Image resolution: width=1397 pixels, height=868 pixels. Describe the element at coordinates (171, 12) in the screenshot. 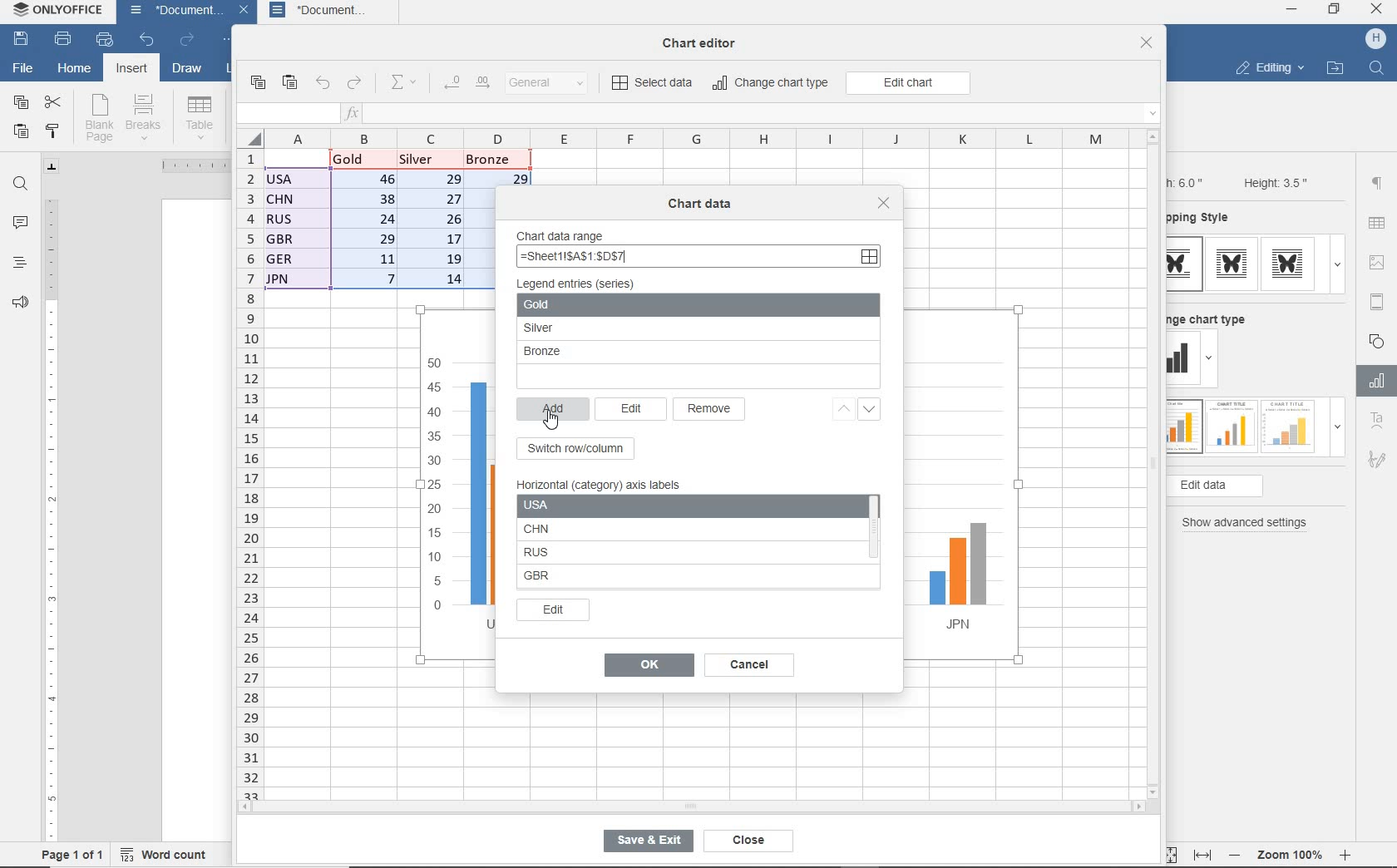

I see `document name` at that location.